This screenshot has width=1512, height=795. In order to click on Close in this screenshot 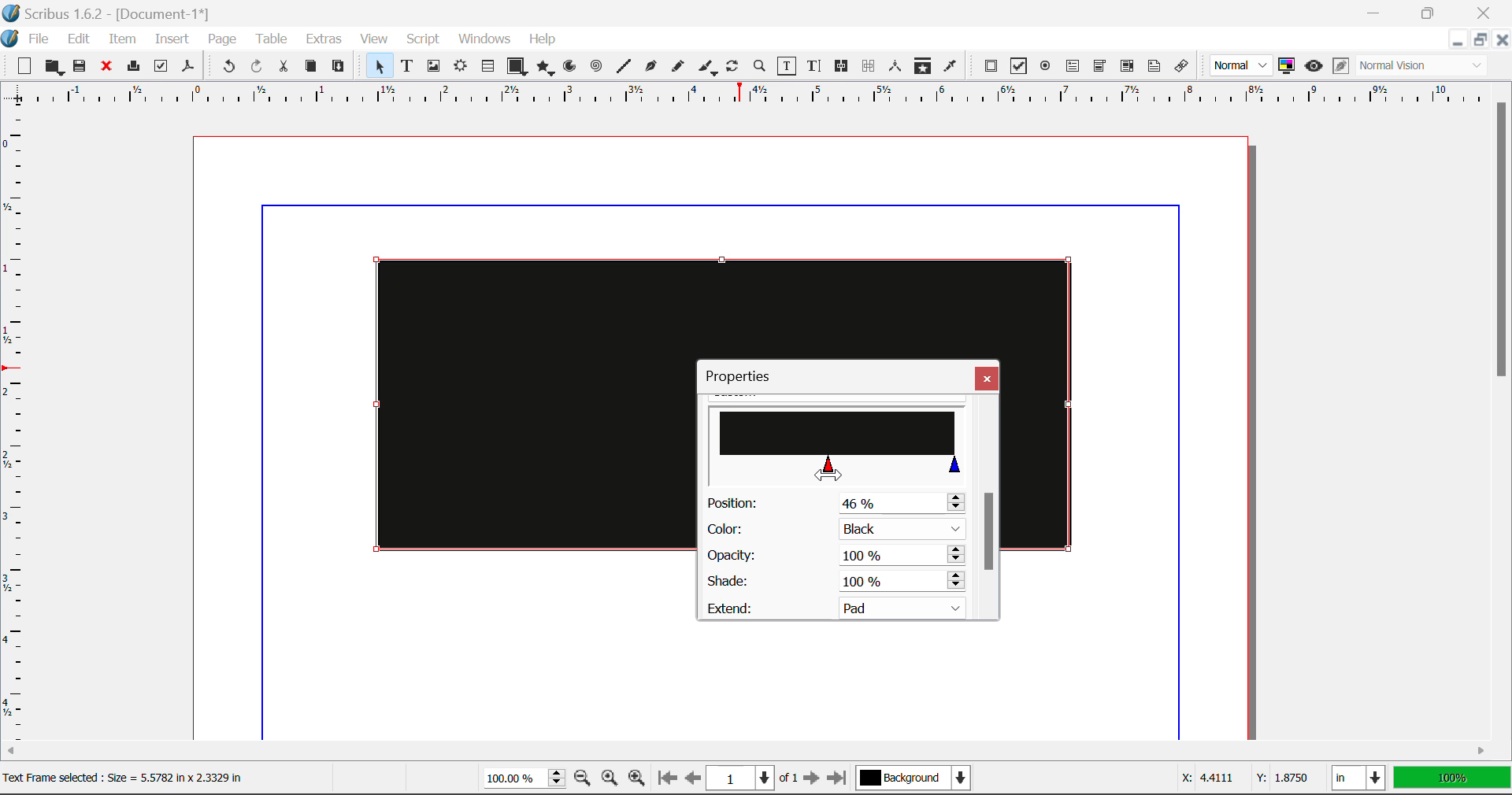, I will do `click(1487, 11)`.